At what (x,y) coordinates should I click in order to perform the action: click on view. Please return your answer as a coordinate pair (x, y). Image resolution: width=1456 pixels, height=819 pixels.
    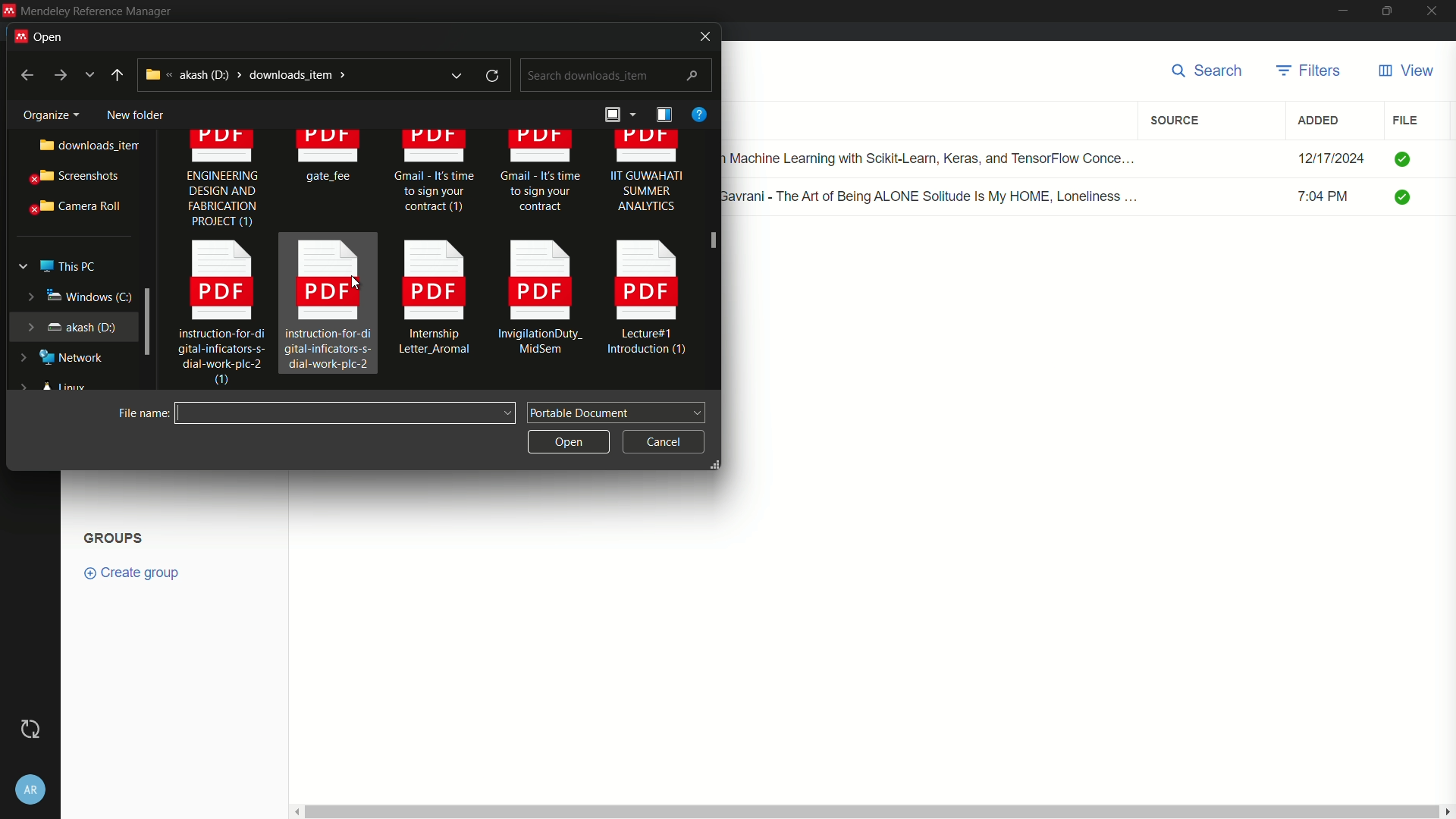
    Looking at the image, I should click on (1405, 71).